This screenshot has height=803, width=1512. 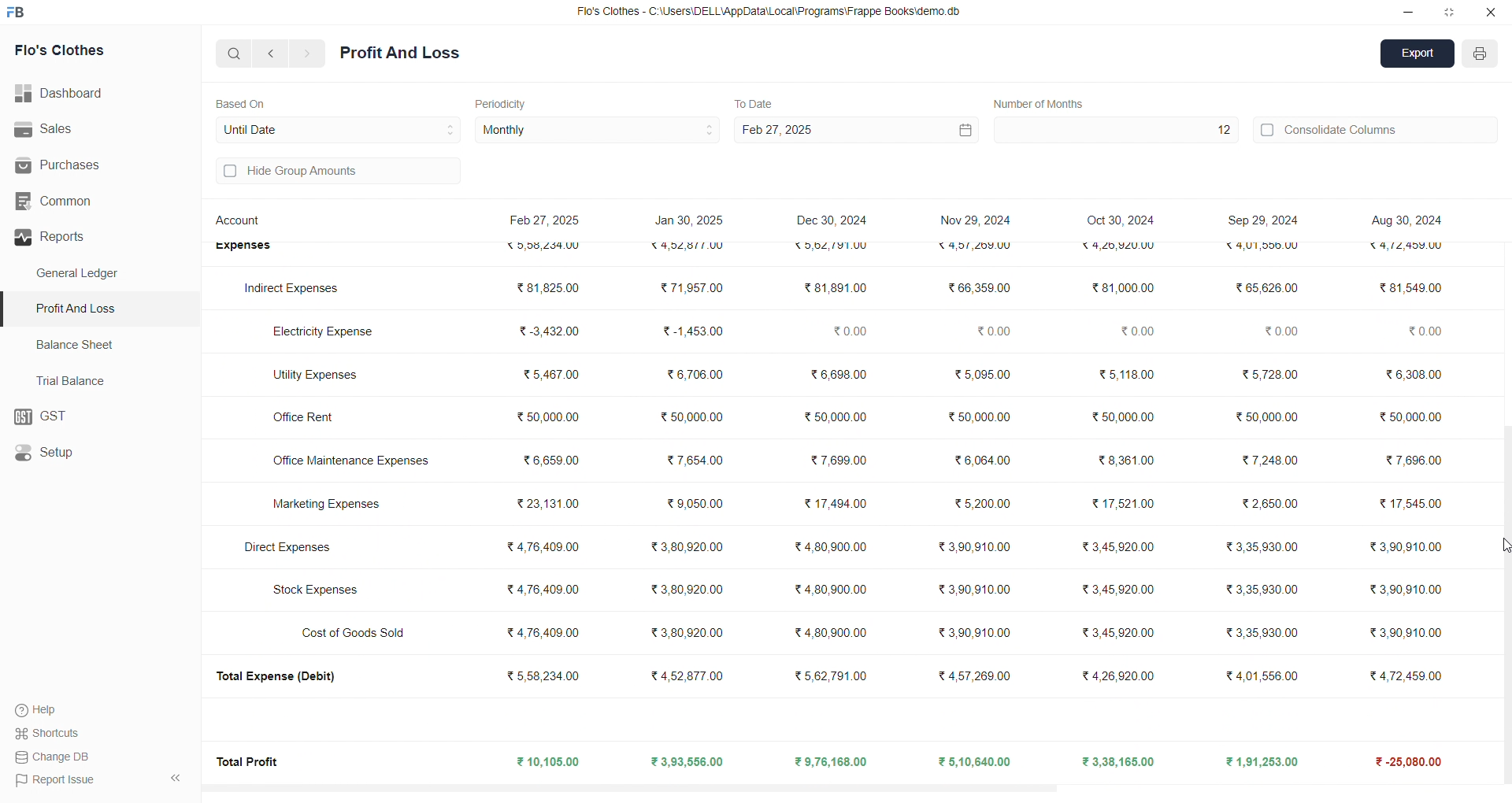 What do you see at coordinates (1377, 128) in the screenshot?
I see `Consolidate Columns` at bounding box center [1377, 128].